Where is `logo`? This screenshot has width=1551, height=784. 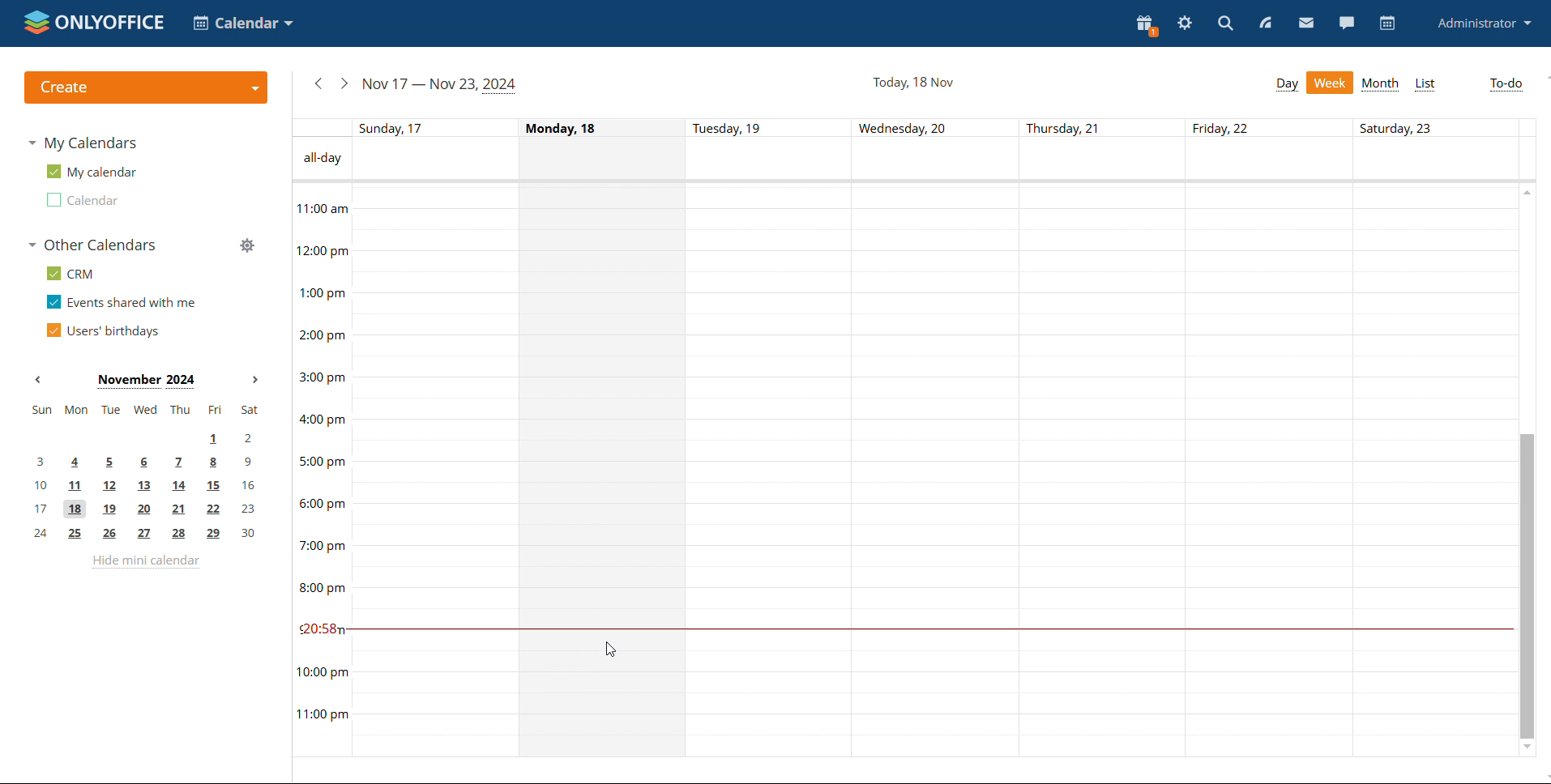
logo is located at coordinates (94, 24).